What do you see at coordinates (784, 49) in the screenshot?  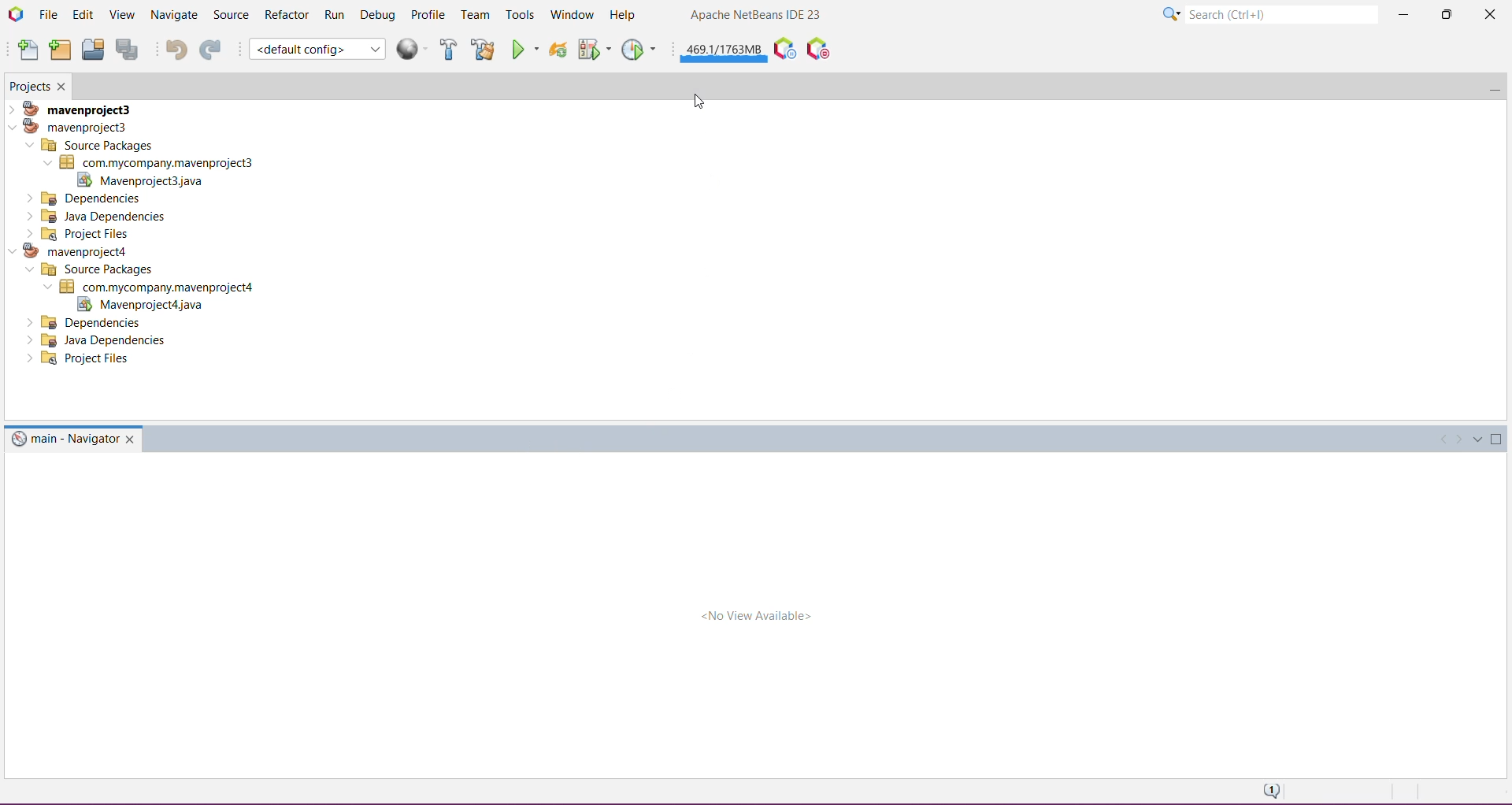 I see `Profile the IDE` at bounding box center [784, 49].